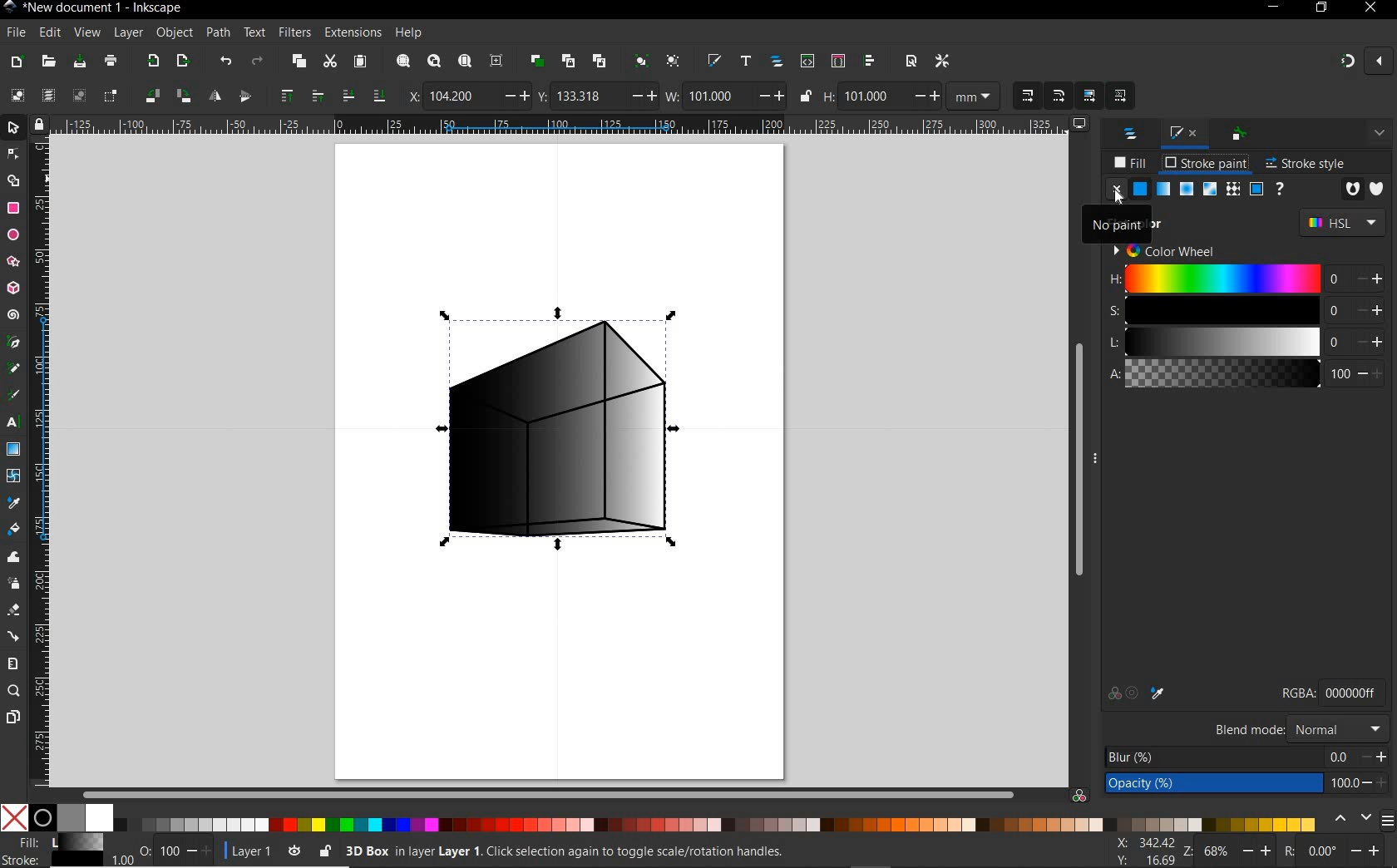 The image size is (1397, 868). I want to click on OBJECT FLIP, so click(244, 96).